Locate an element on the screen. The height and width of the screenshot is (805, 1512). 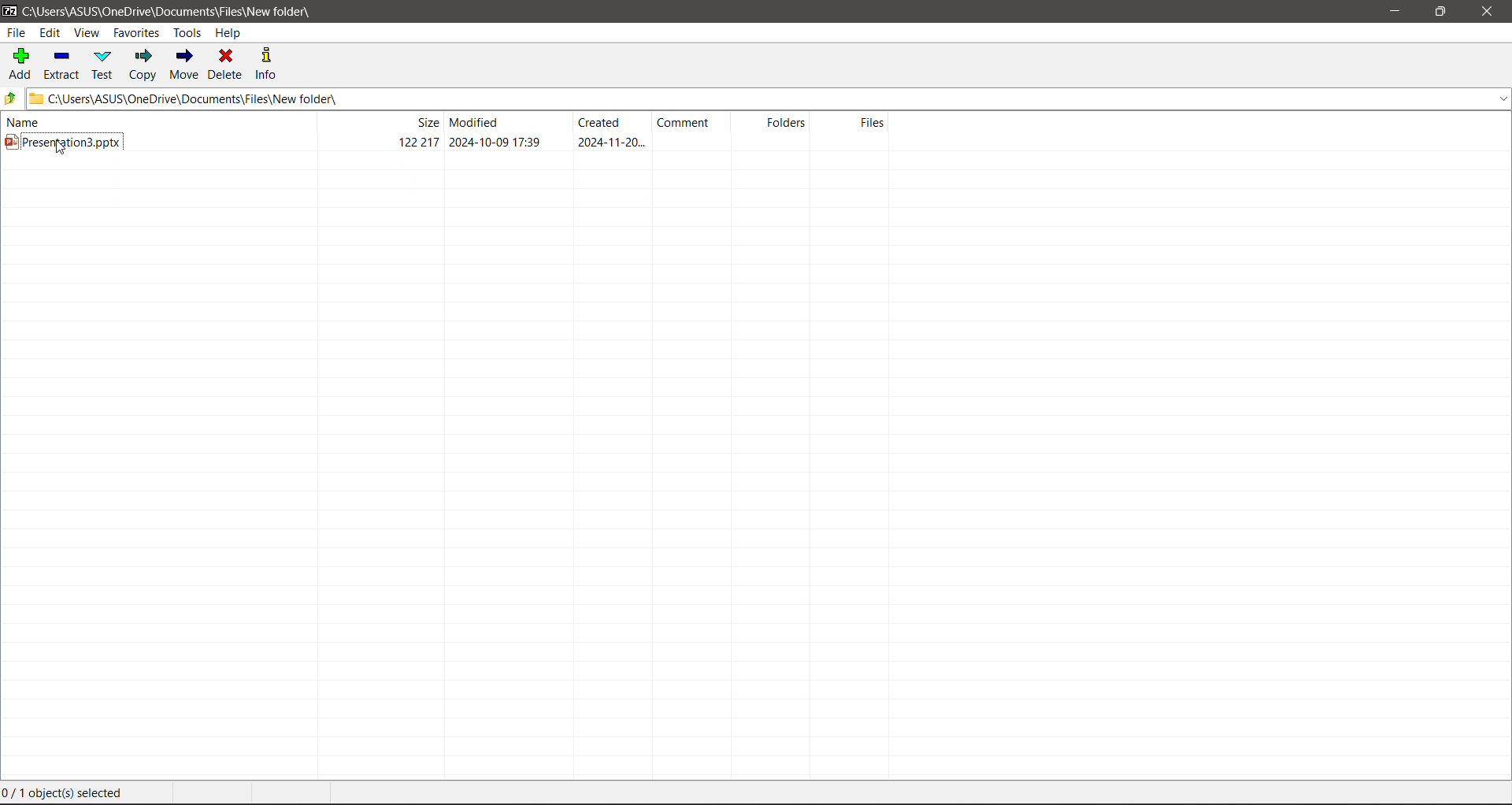
Test is located at coordinates (104, 65).